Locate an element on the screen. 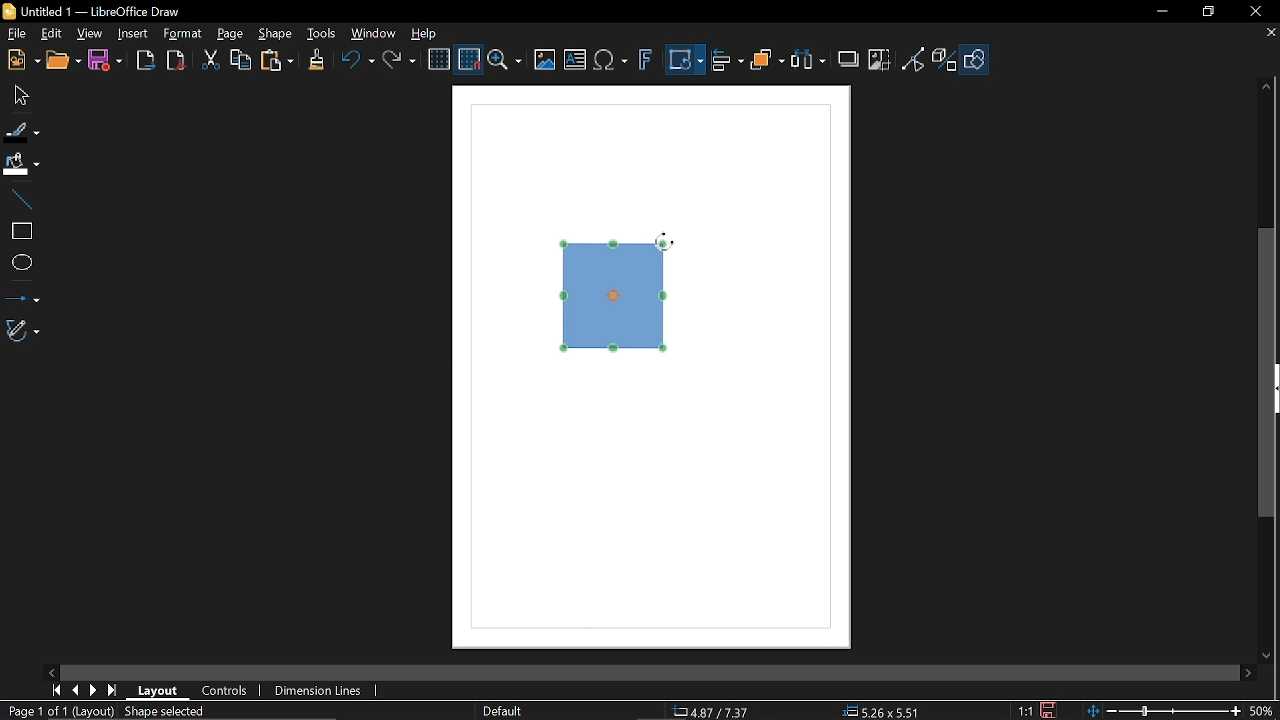  Clone is located at coordinates (314, 61).